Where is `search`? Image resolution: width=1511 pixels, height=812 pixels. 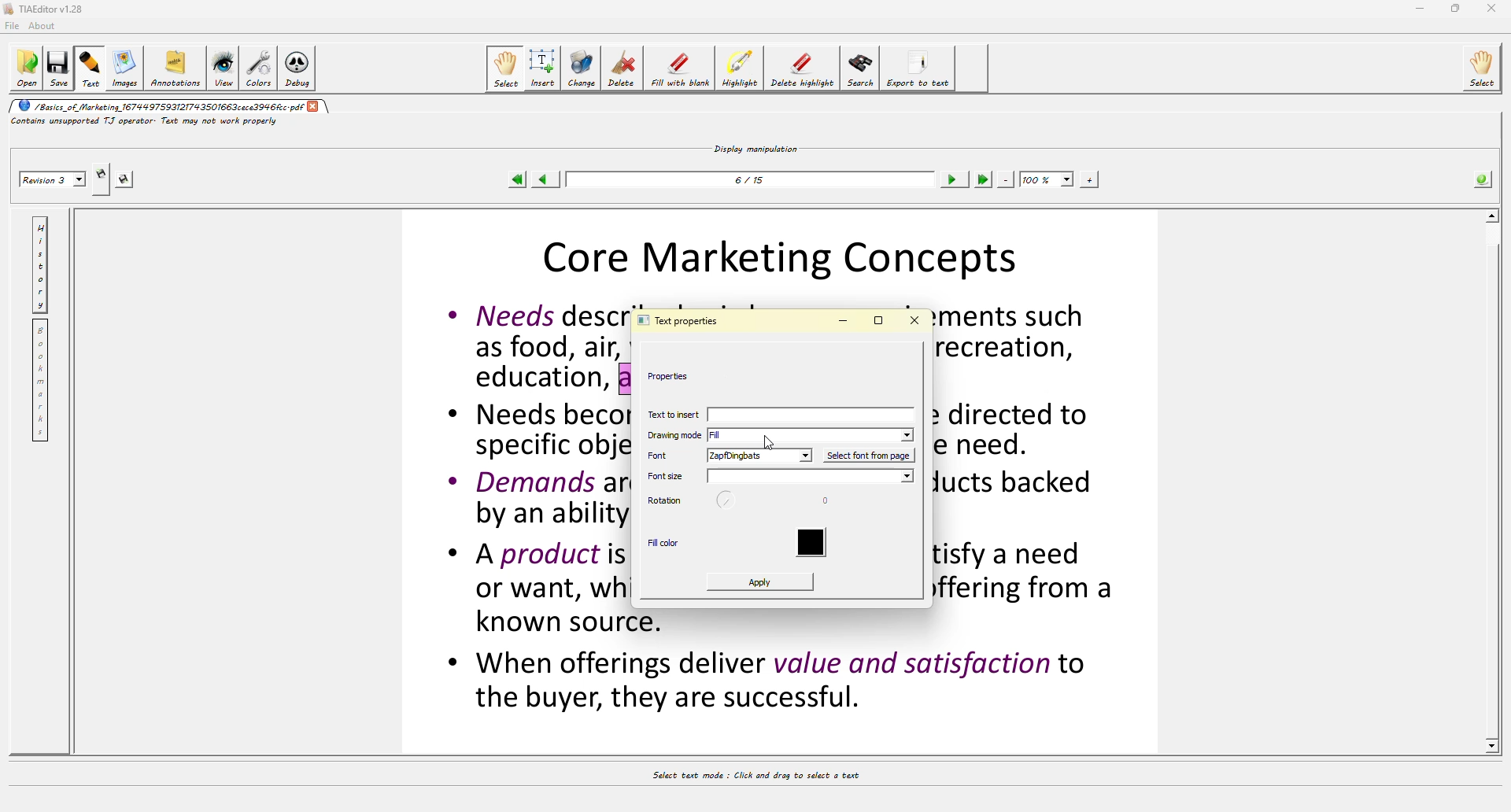 search is located at coordinates (860, 69).